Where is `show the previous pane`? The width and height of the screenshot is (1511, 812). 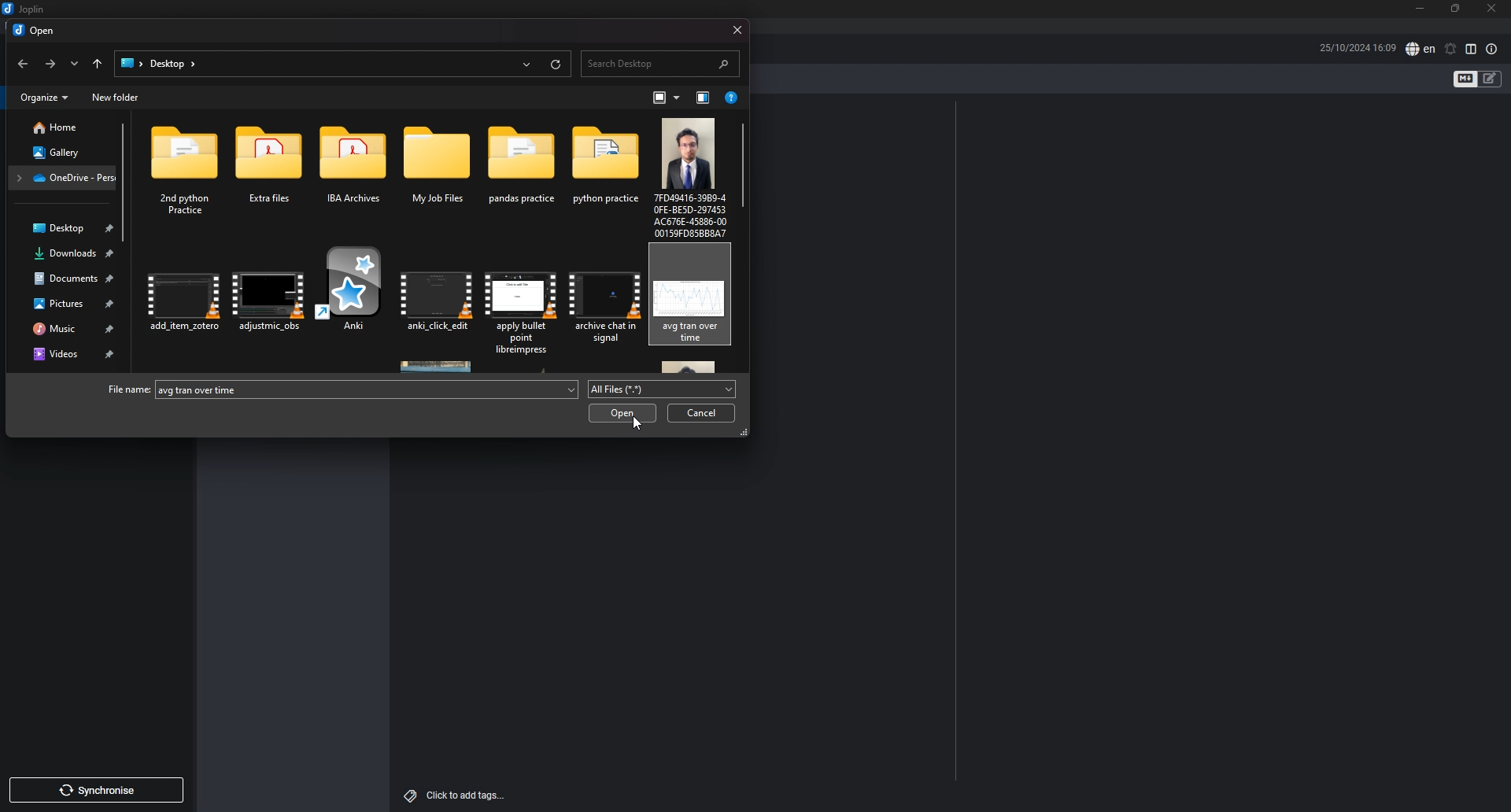
show the previous pane is located at coordinates (704, 98).